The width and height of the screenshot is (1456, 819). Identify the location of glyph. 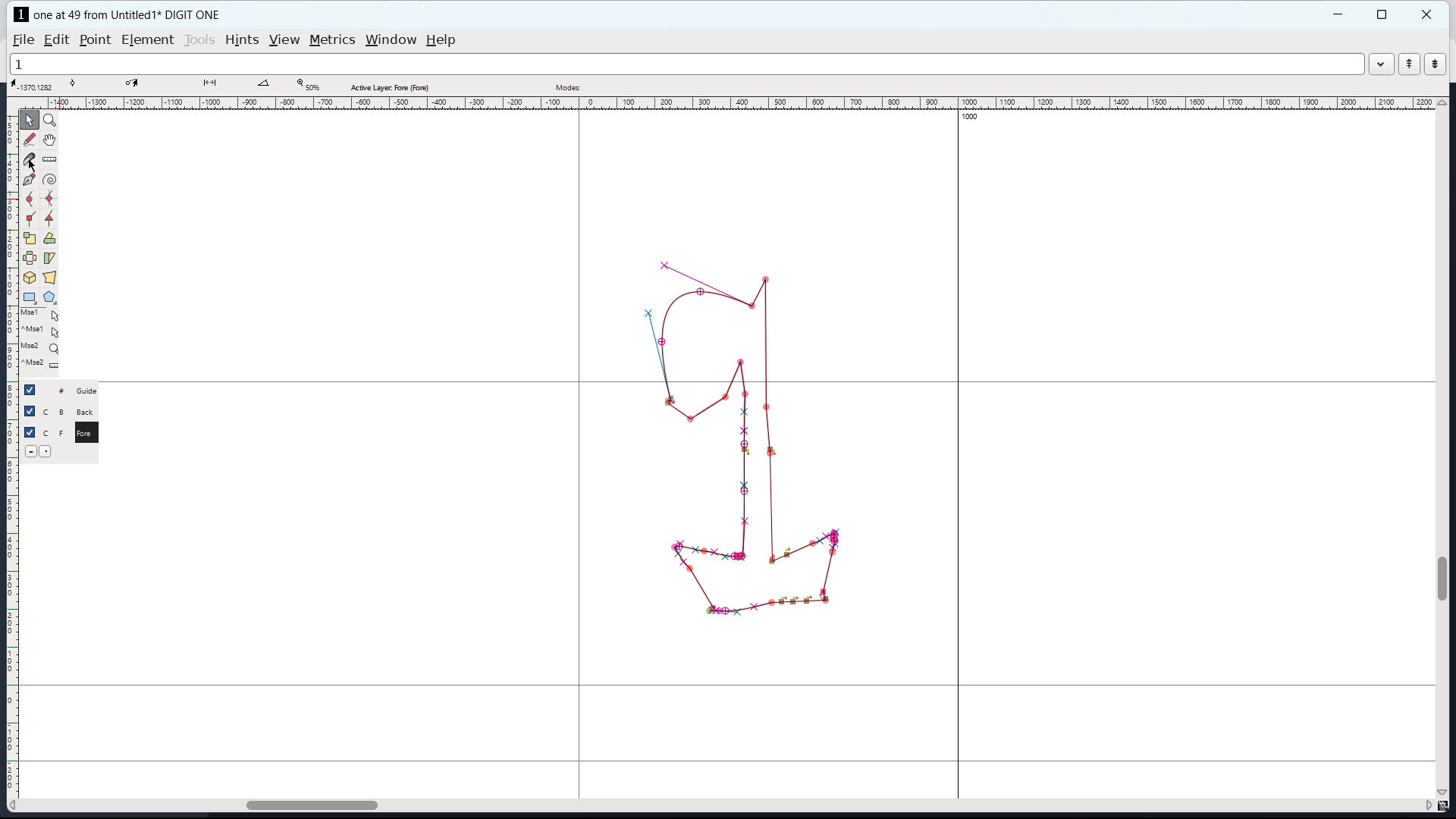
(745, 439).